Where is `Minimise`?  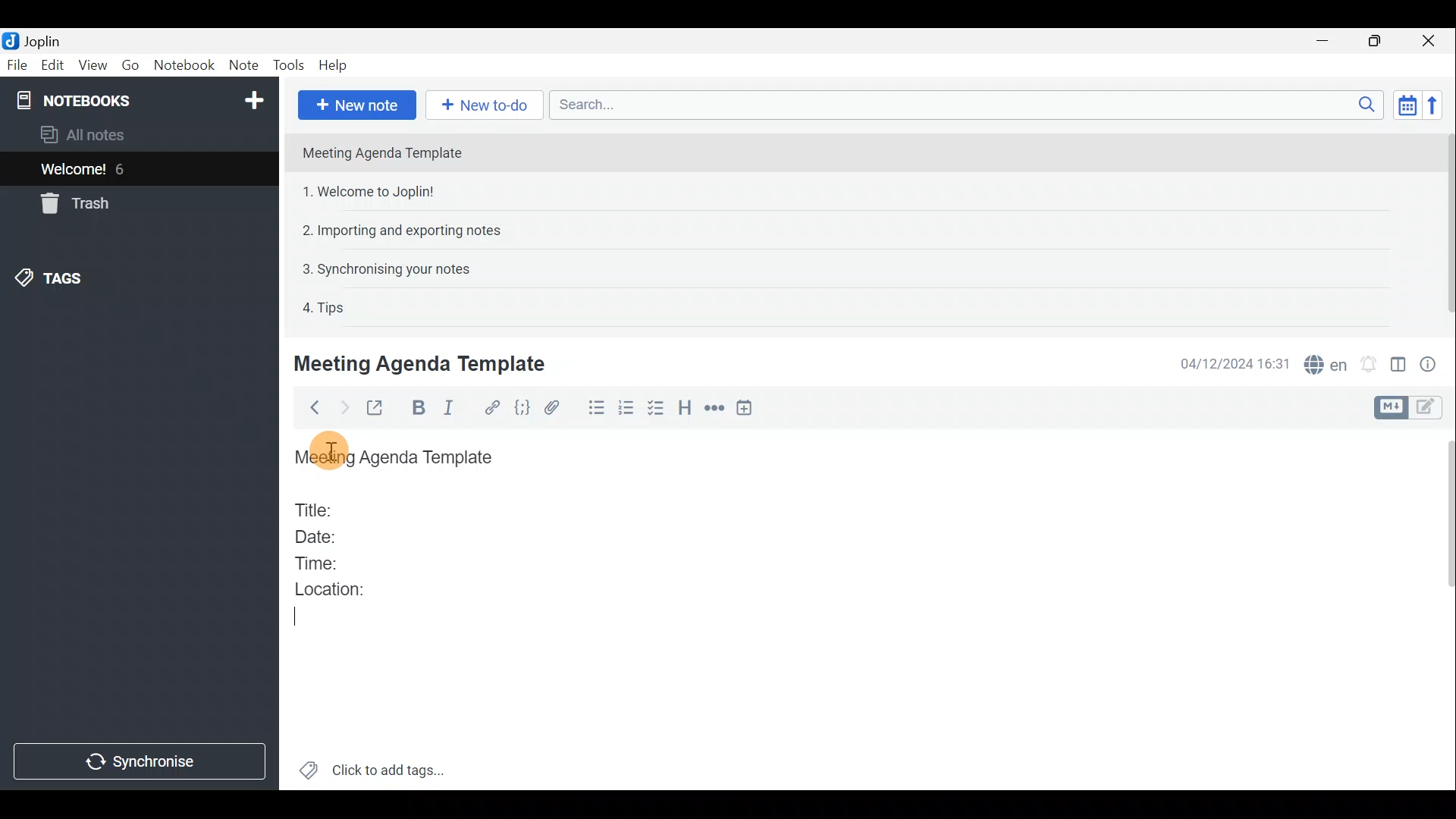
Minimise is located at coordinates (1325, 40).